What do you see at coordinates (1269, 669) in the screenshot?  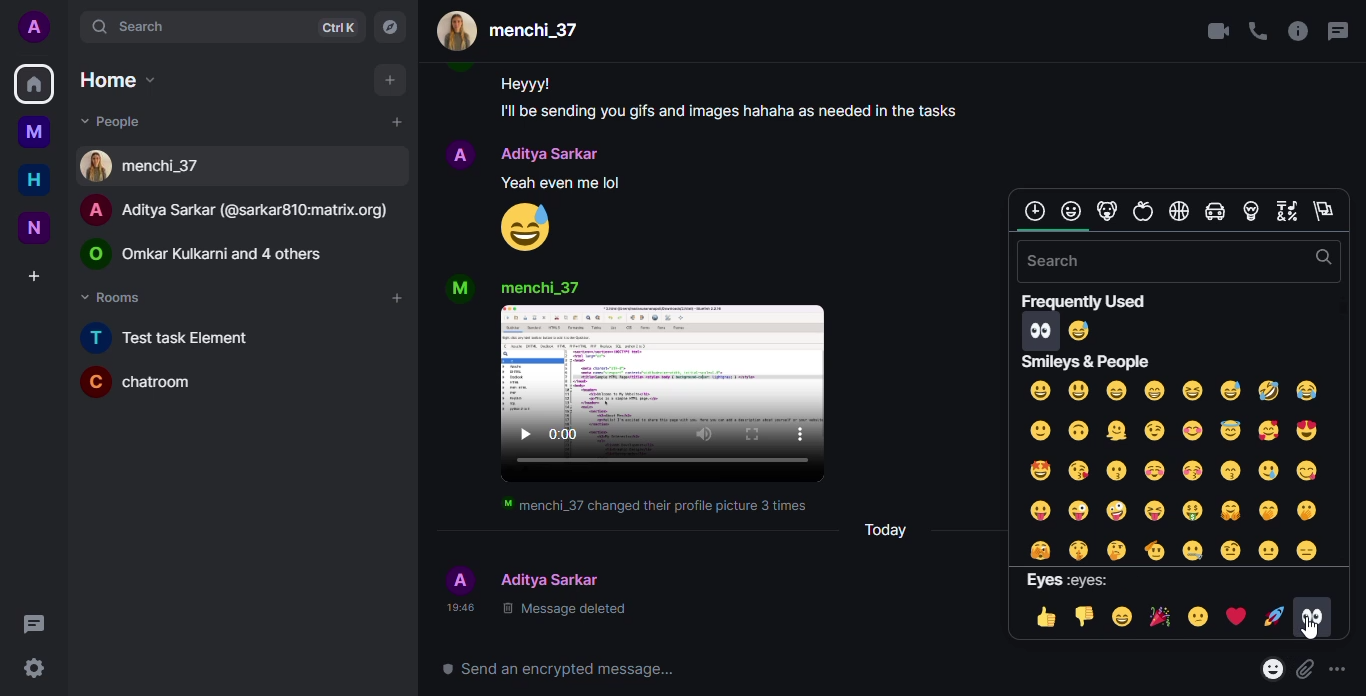 I see `emoji` at bounding box center [1269, 669].